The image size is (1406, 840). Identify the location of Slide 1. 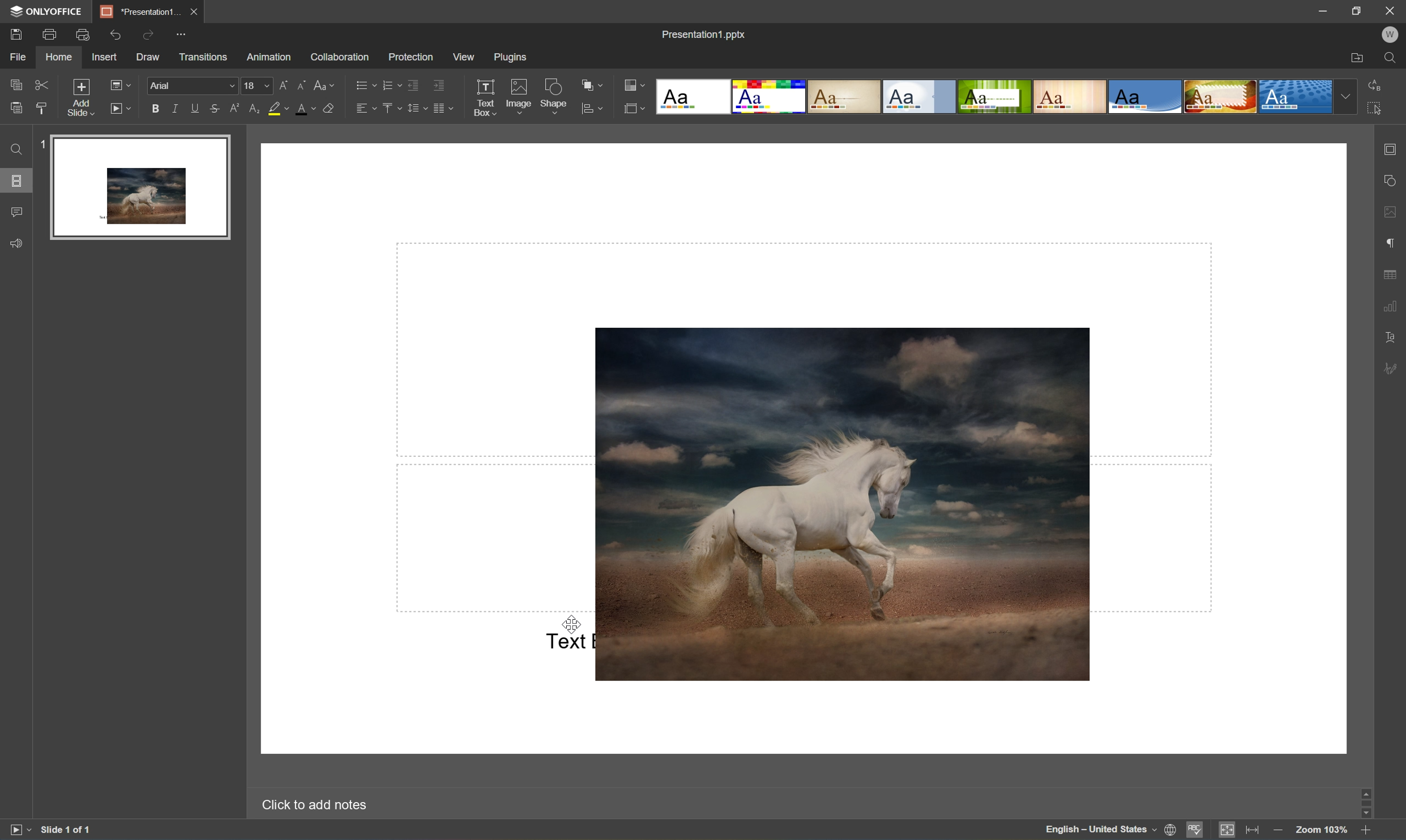
(132, 186).